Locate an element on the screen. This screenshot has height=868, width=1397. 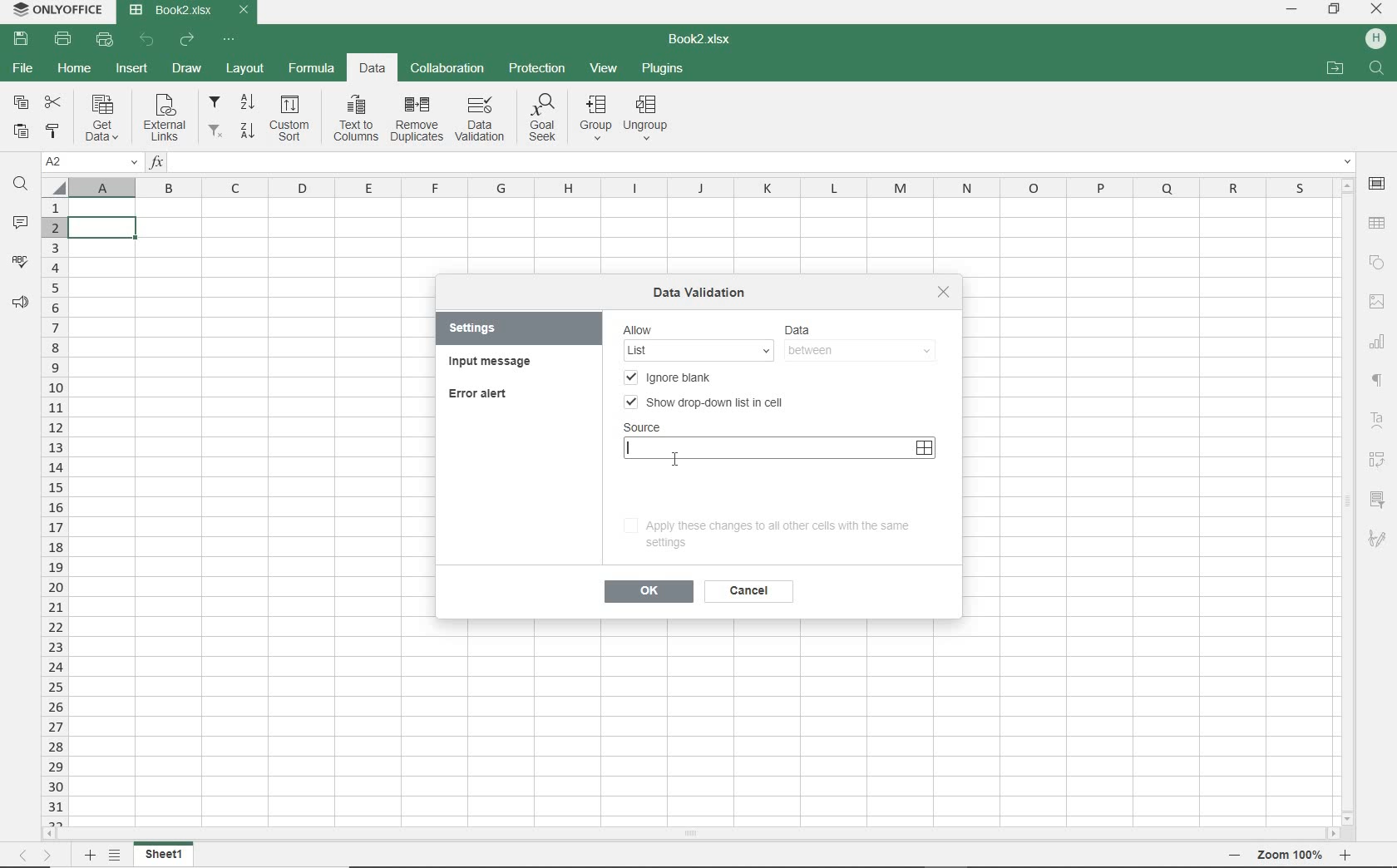
ZOOM OUT OR ZOOM IN is located at coordinates (1285, 856).